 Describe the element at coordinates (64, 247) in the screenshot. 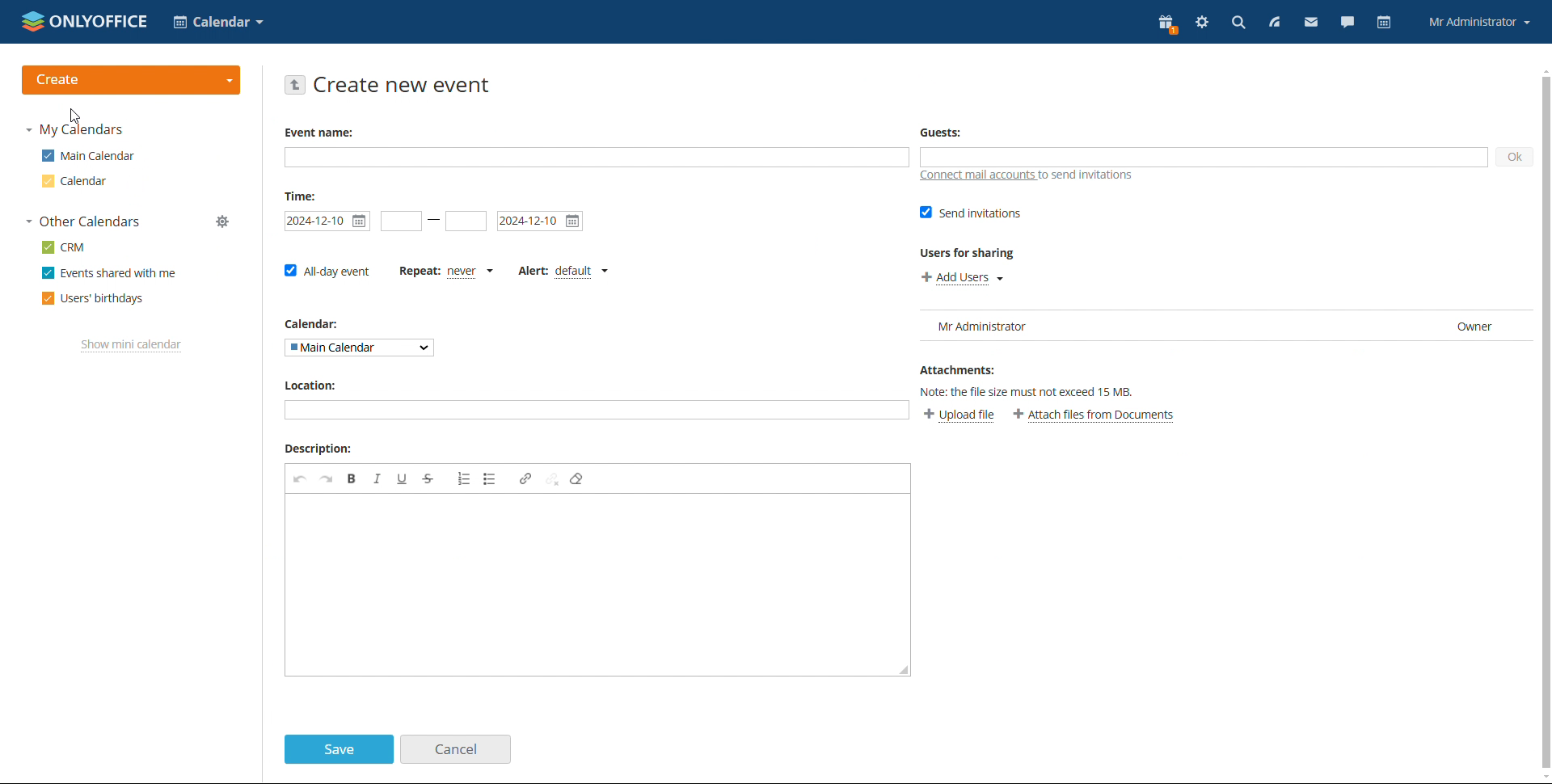

I see `crm` at that location.